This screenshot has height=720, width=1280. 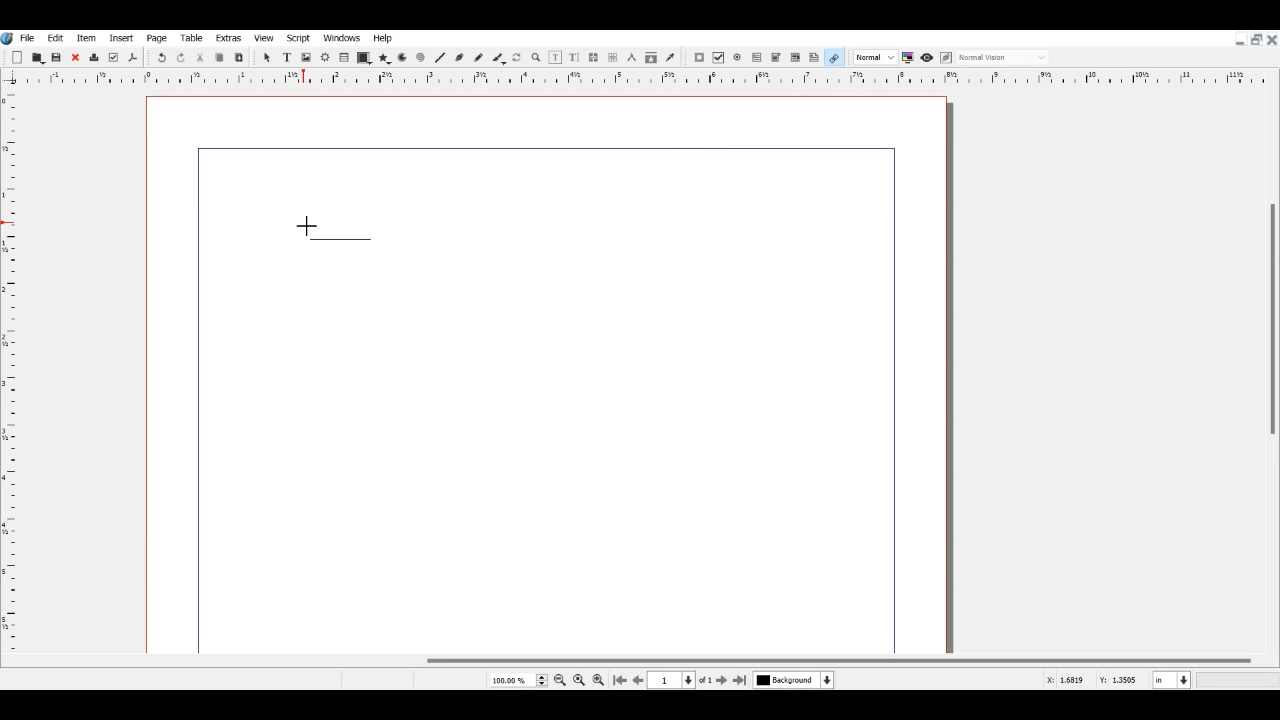 I want to click on Bezier curve, so click(x=459, y=57).